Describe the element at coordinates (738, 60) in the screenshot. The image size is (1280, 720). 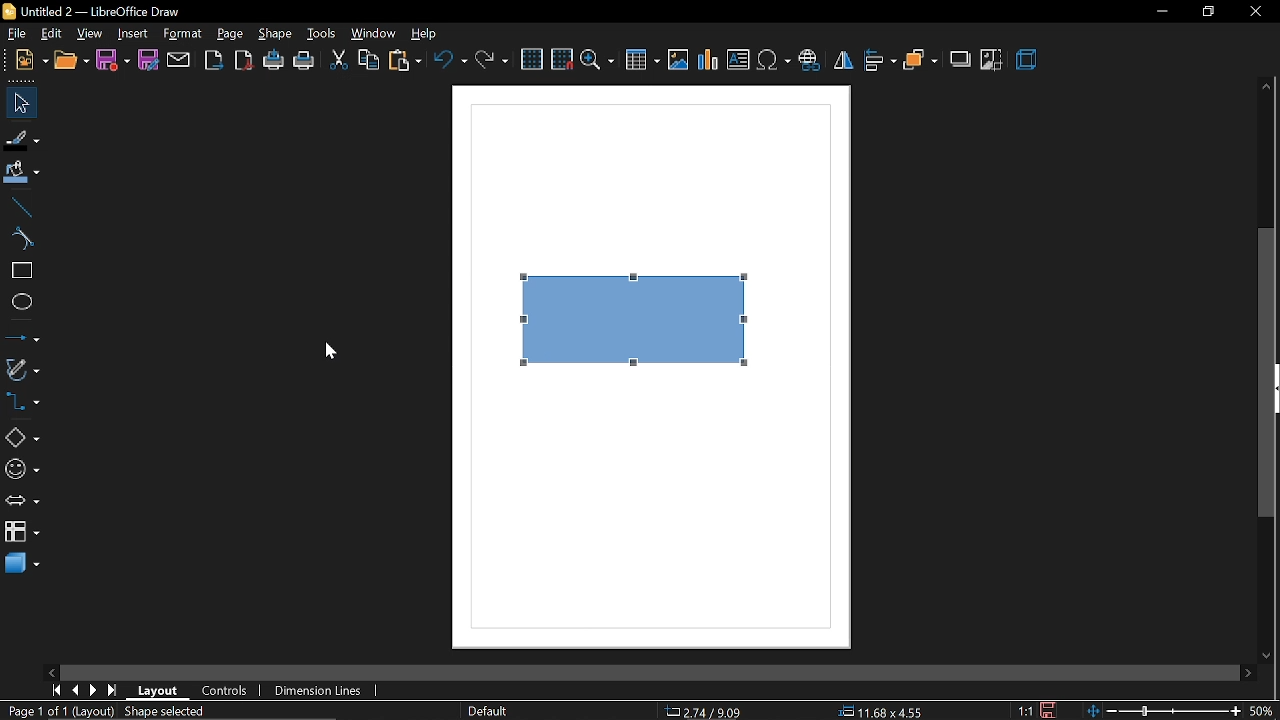
I see `insert text` at that location.